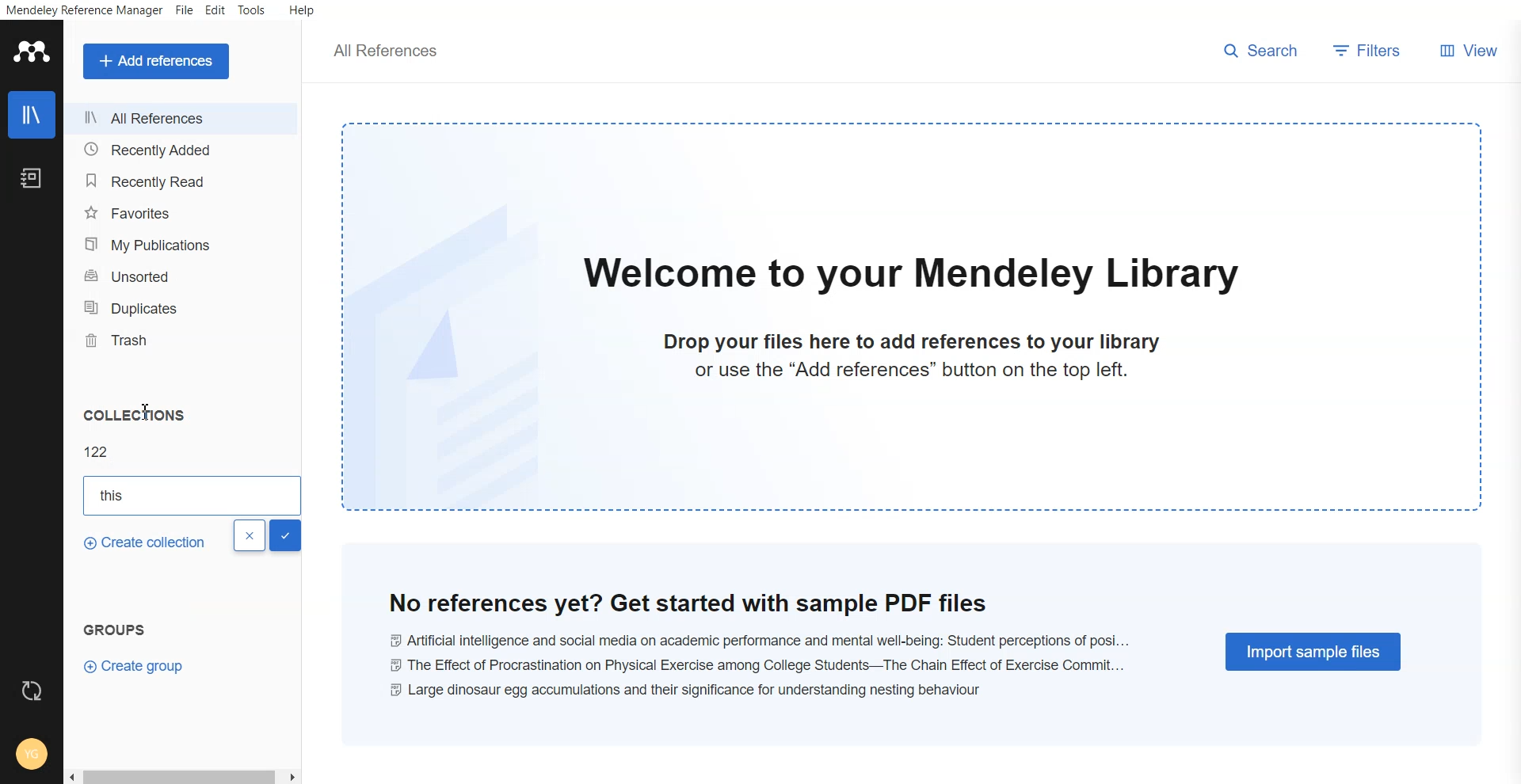  I want to click on file watermark background image, so click(452, 348).